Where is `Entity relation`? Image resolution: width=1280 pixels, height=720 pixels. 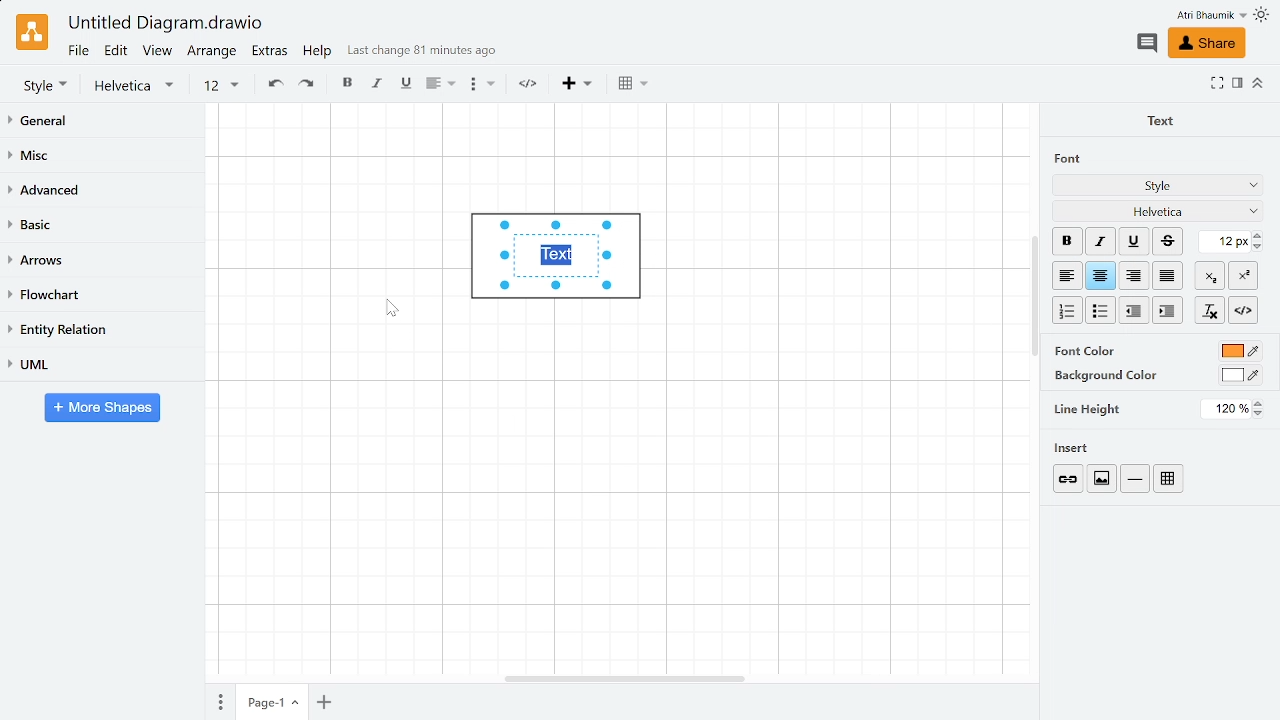
Entity relation is located at coordinates (100, 330).